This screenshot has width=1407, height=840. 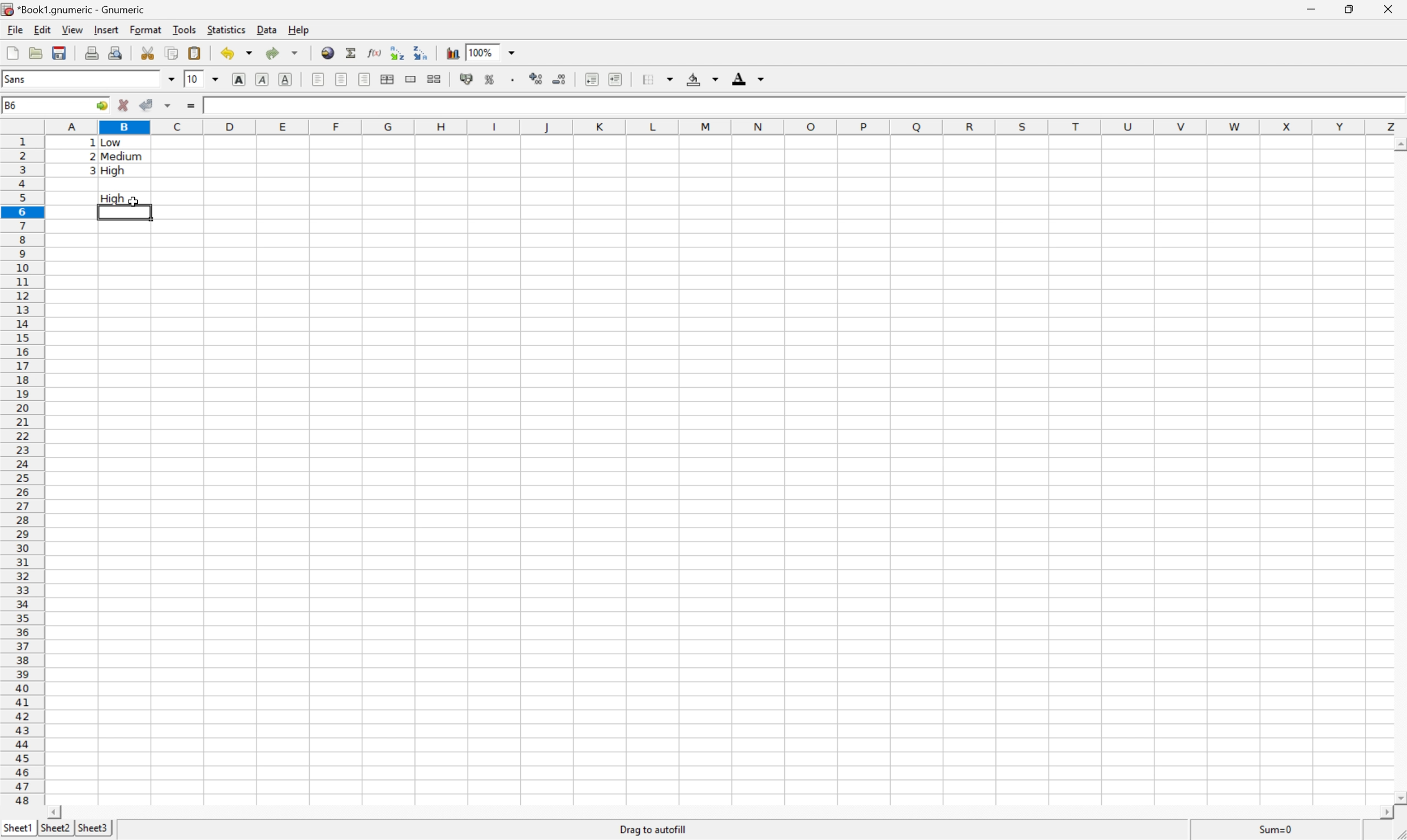 I want to click on File, so click(x=14, y=30).